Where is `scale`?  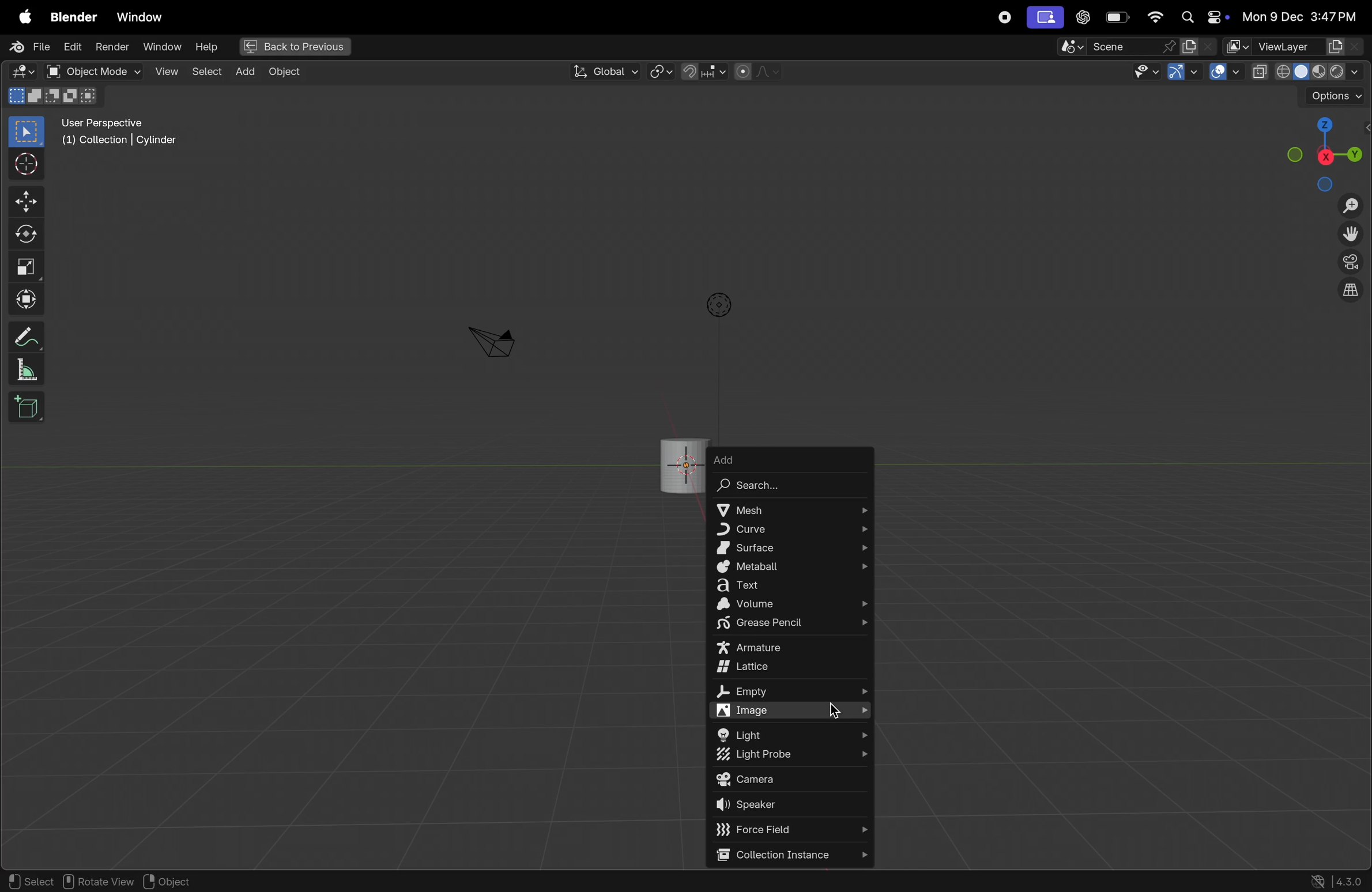 scale is located at coordinates (26, 267).